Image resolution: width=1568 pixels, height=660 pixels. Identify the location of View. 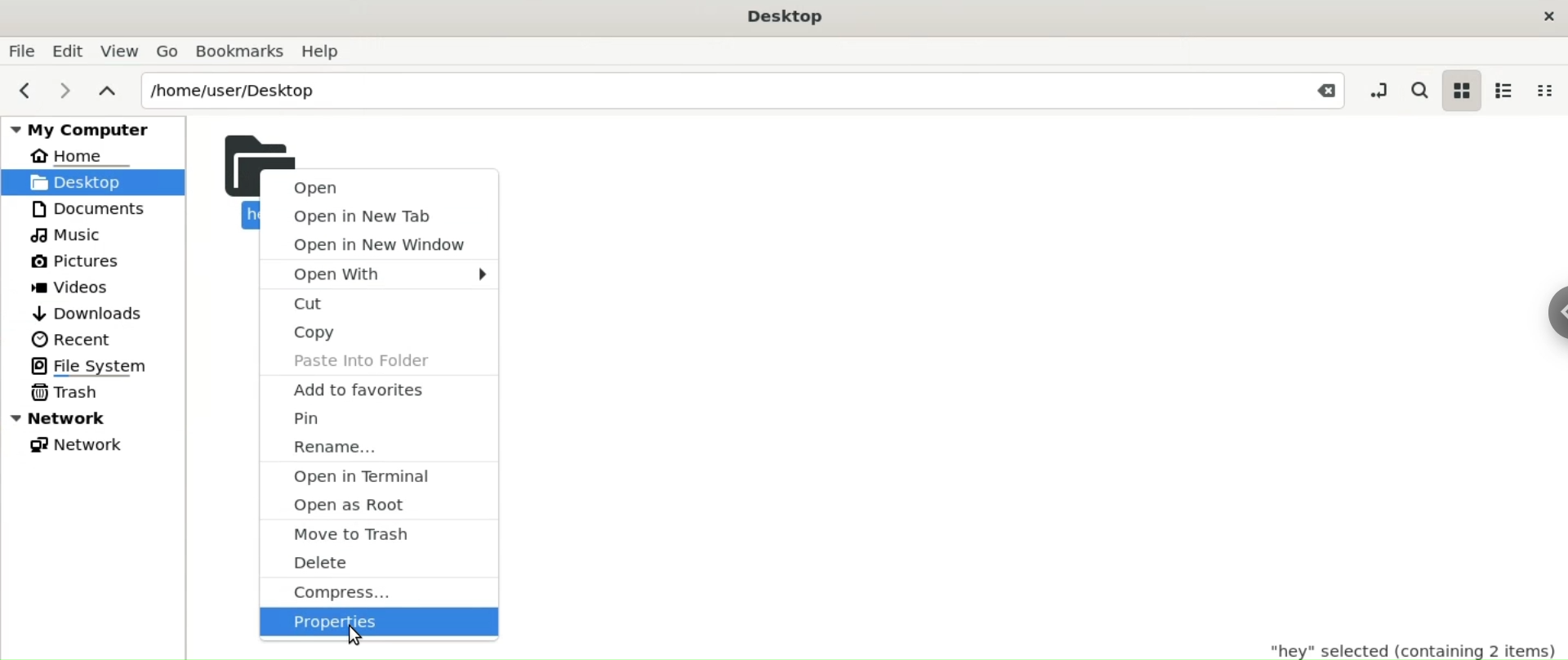
(119, 51).